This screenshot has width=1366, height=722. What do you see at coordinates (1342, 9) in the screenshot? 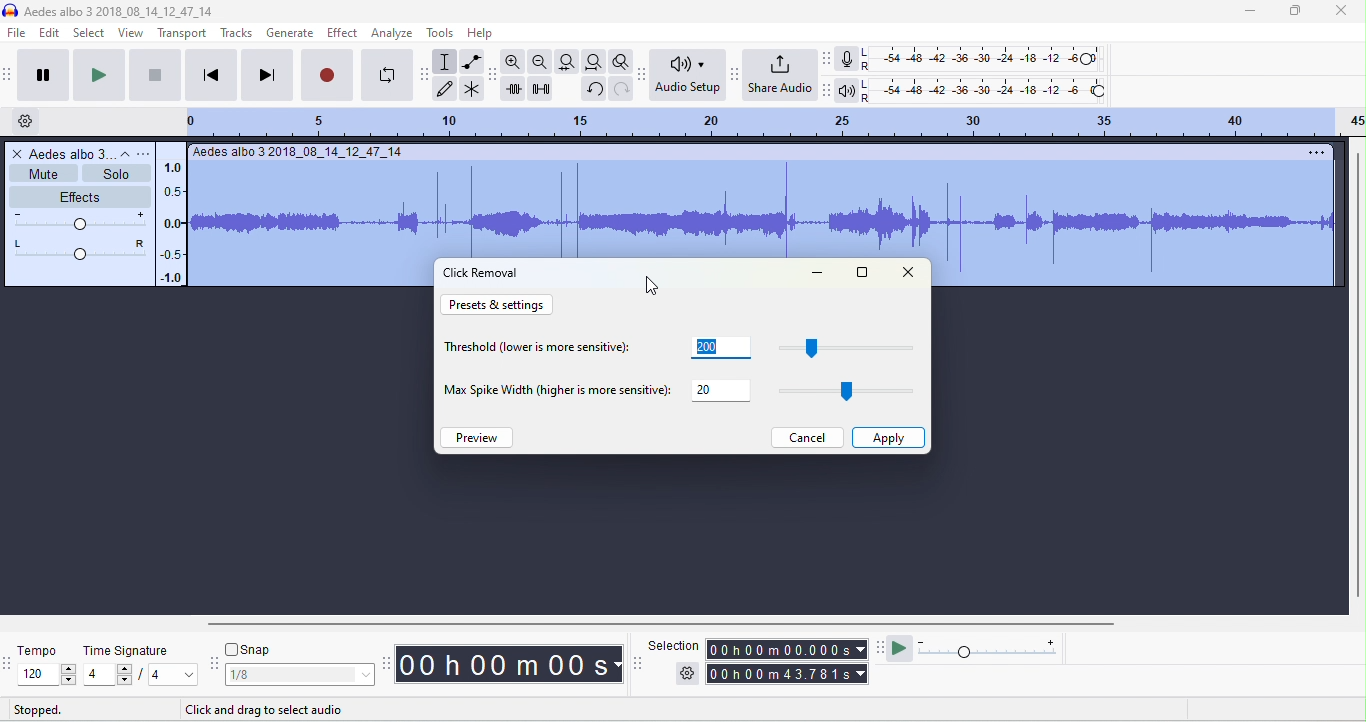
I see `close` at bounding box center [1342, 9].